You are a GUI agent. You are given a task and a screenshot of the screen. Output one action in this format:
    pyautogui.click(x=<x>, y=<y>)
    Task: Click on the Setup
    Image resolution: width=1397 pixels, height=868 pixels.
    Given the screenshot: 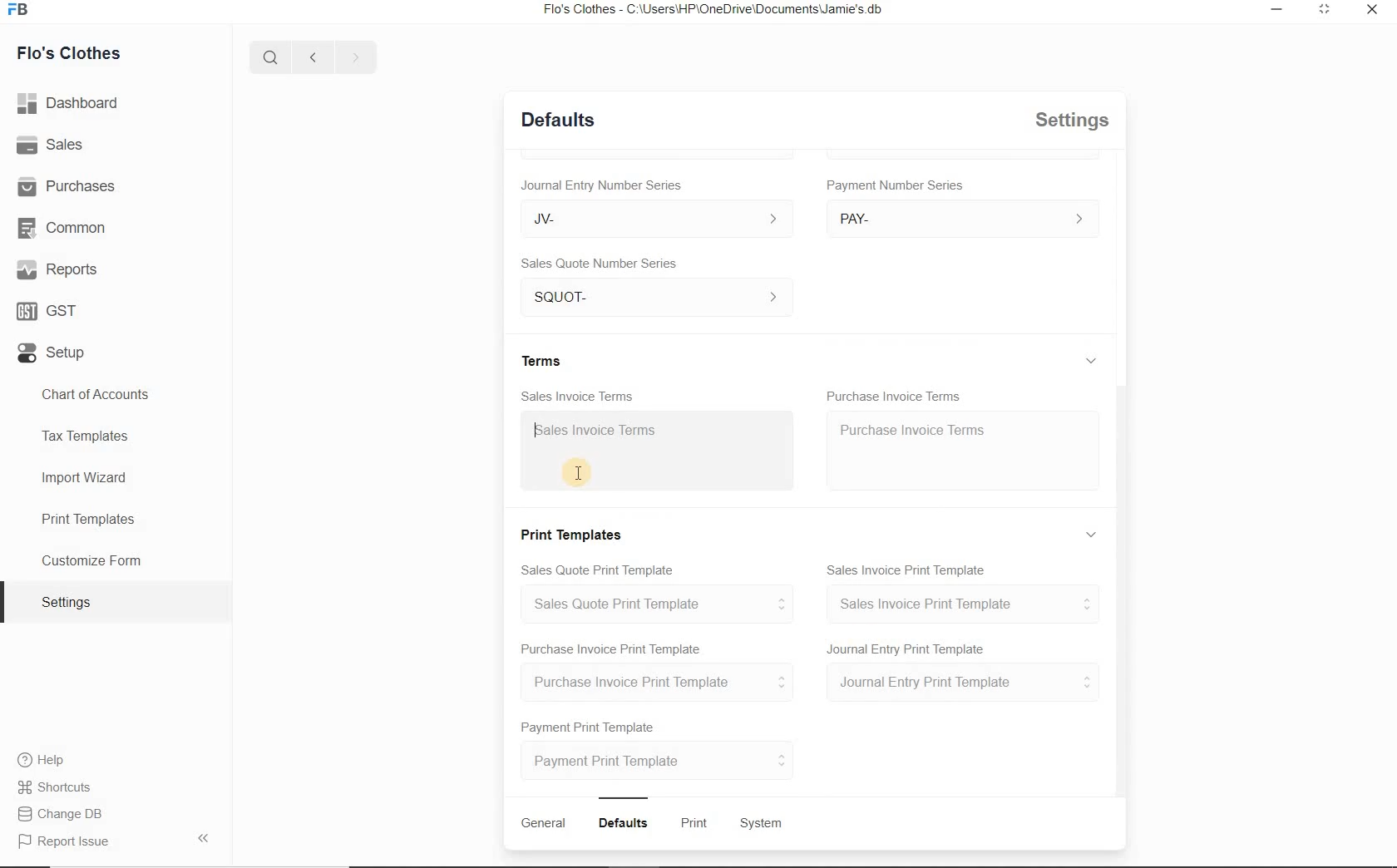 What is the action you would take?
    pyautogui.click(x=52, y=353)
    